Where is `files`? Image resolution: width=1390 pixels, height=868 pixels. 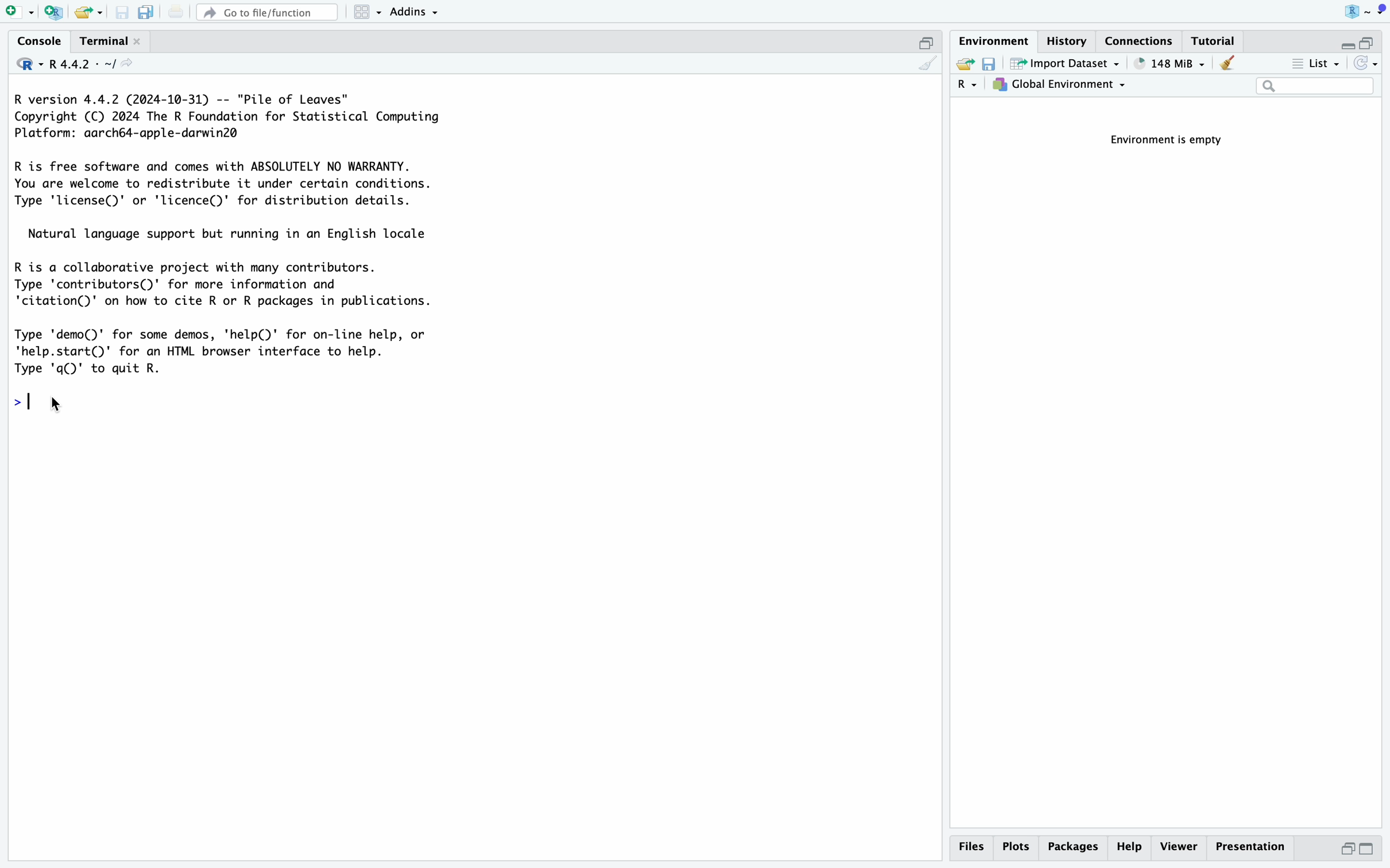
files is located at coordinates (974, 847).